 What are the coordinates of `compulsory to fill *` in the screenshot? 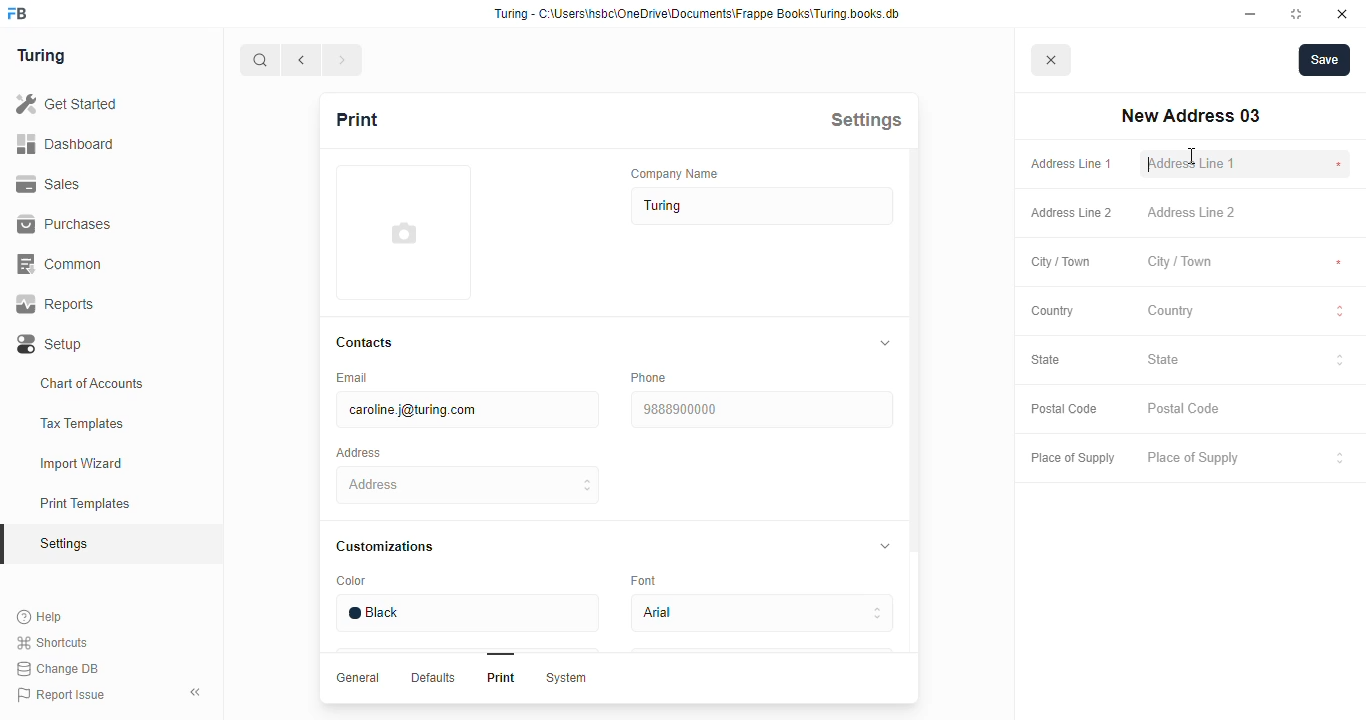 It's located at (1339, 164).